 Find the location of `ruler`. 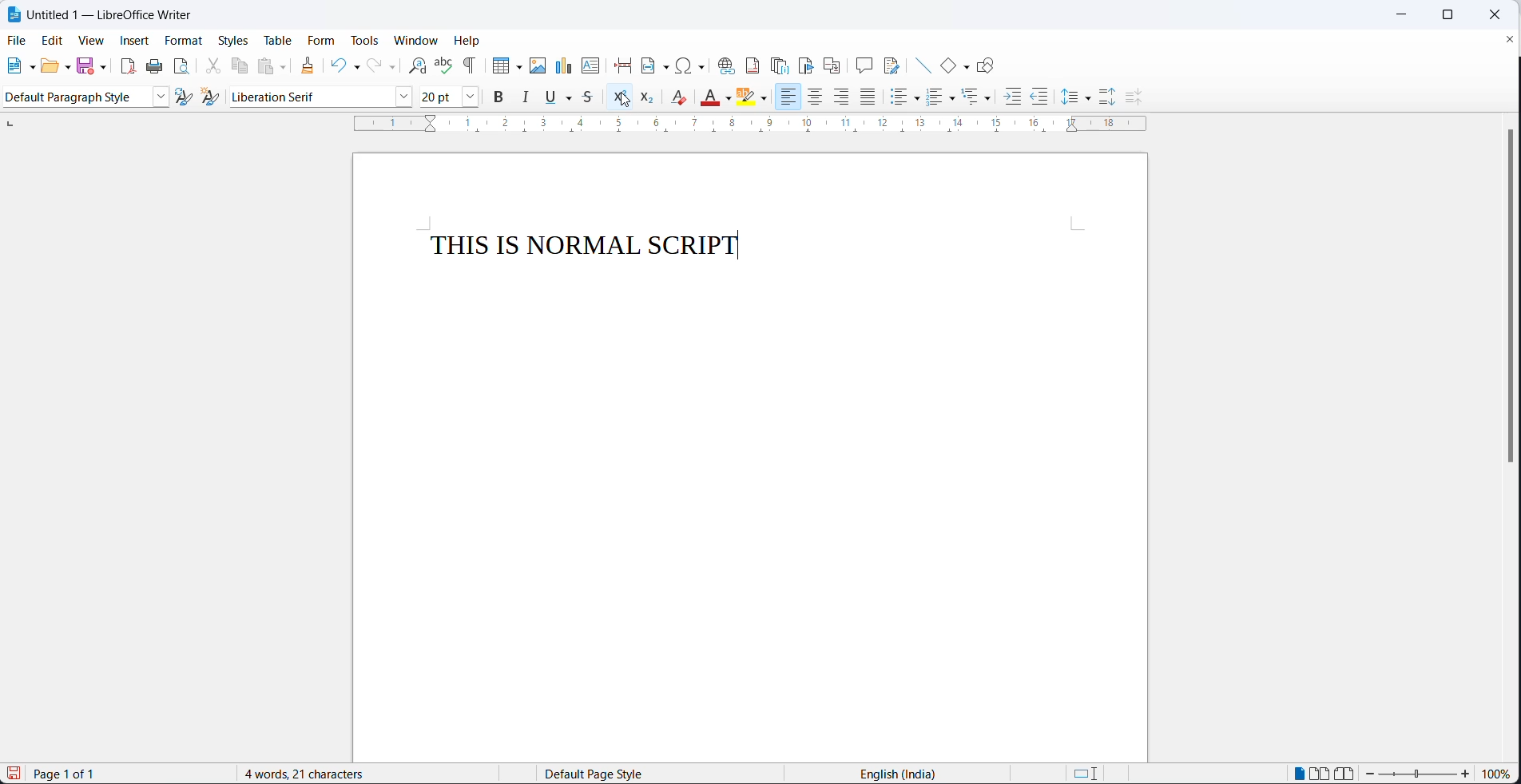

ruler is located at coordinates (756, 129).